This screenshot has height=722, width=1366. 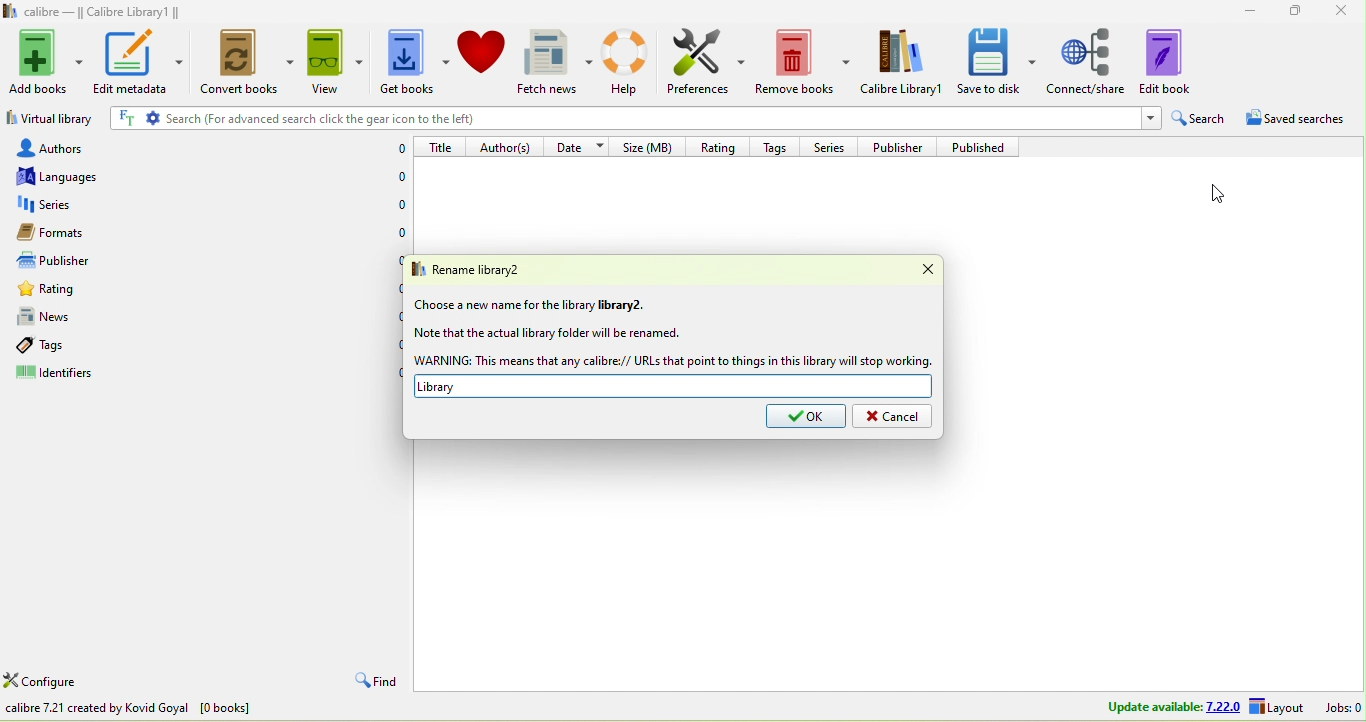 What do you see at coordinates (84, 317) in the screenshot?
I see `news` at bounding box center [84, 317].